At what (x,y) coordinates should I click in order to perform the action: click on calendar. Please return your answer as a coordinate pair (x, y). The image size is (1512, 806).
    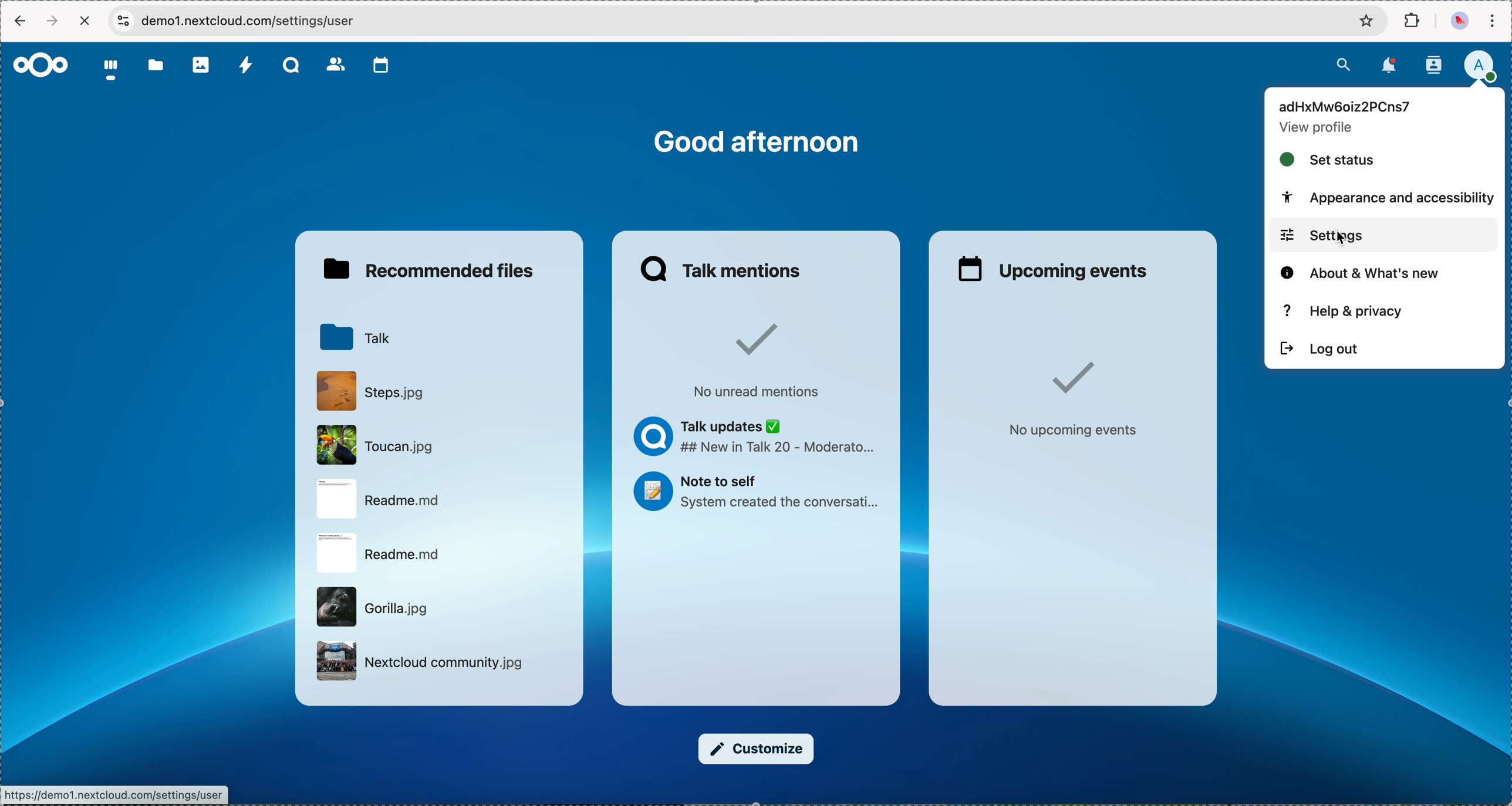
    Looking at the image, I should click on (382, 65).